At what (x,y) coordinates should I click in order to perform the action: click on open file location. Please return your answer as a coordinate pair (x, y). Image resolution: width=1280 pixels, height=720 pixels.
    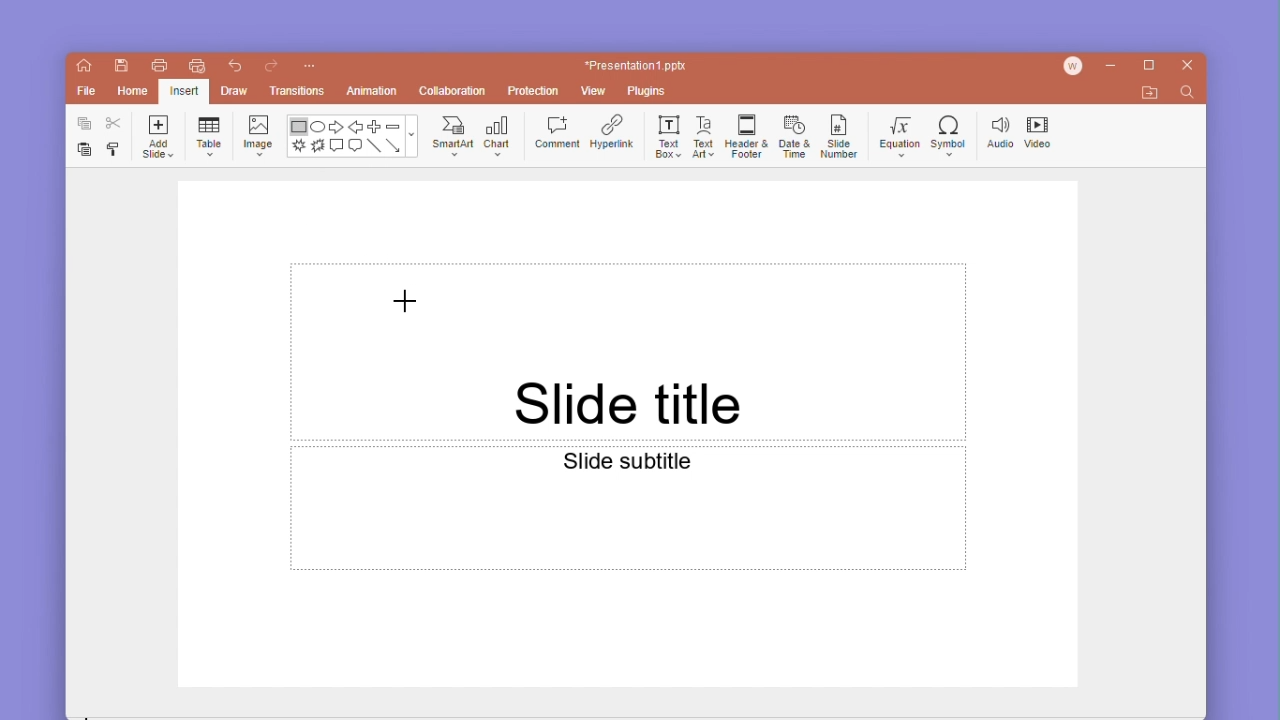
    Looking at the image, I should click on (1149, 93).